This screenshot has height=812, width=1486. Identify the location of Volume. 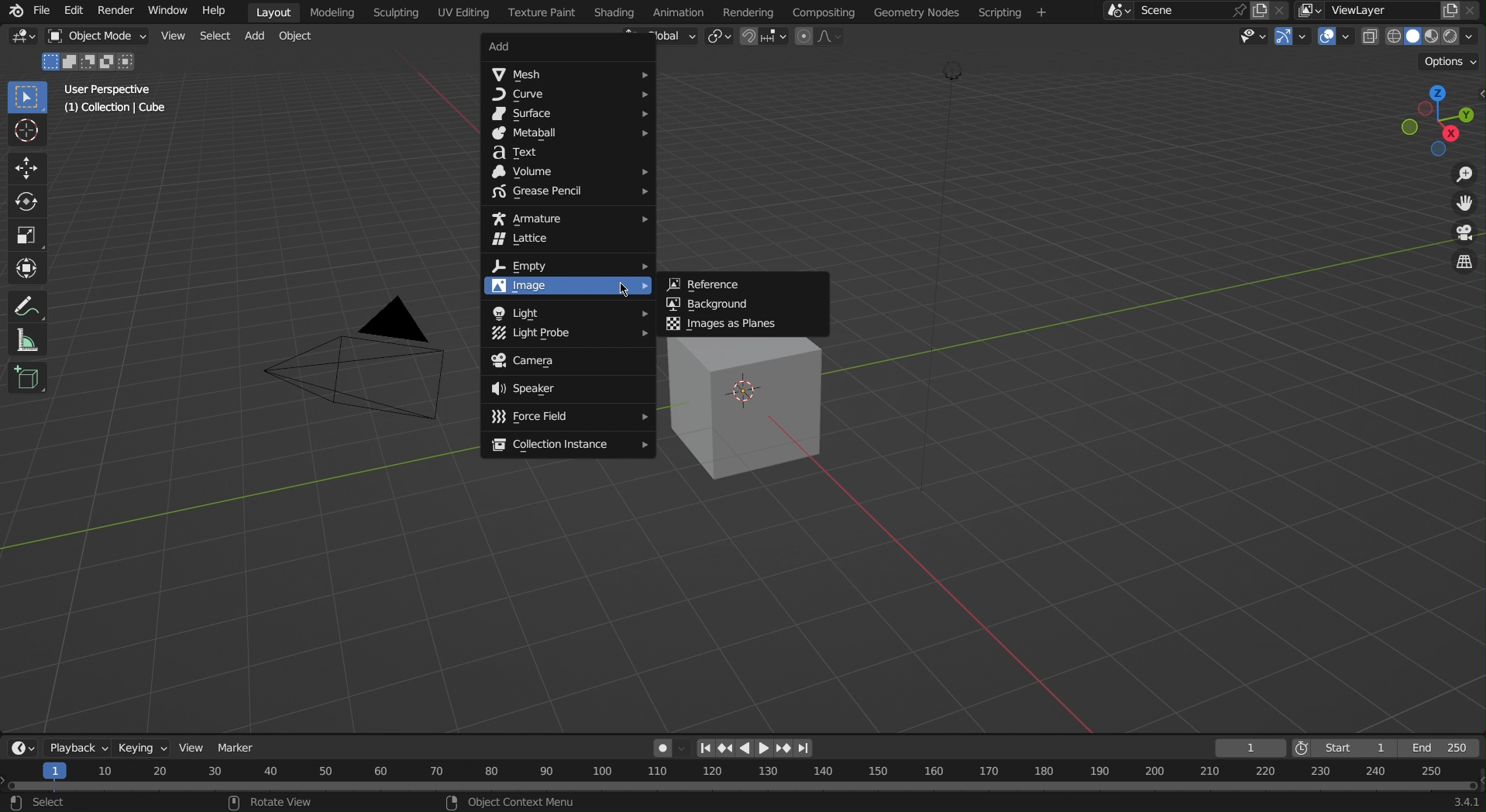
(568, 172).